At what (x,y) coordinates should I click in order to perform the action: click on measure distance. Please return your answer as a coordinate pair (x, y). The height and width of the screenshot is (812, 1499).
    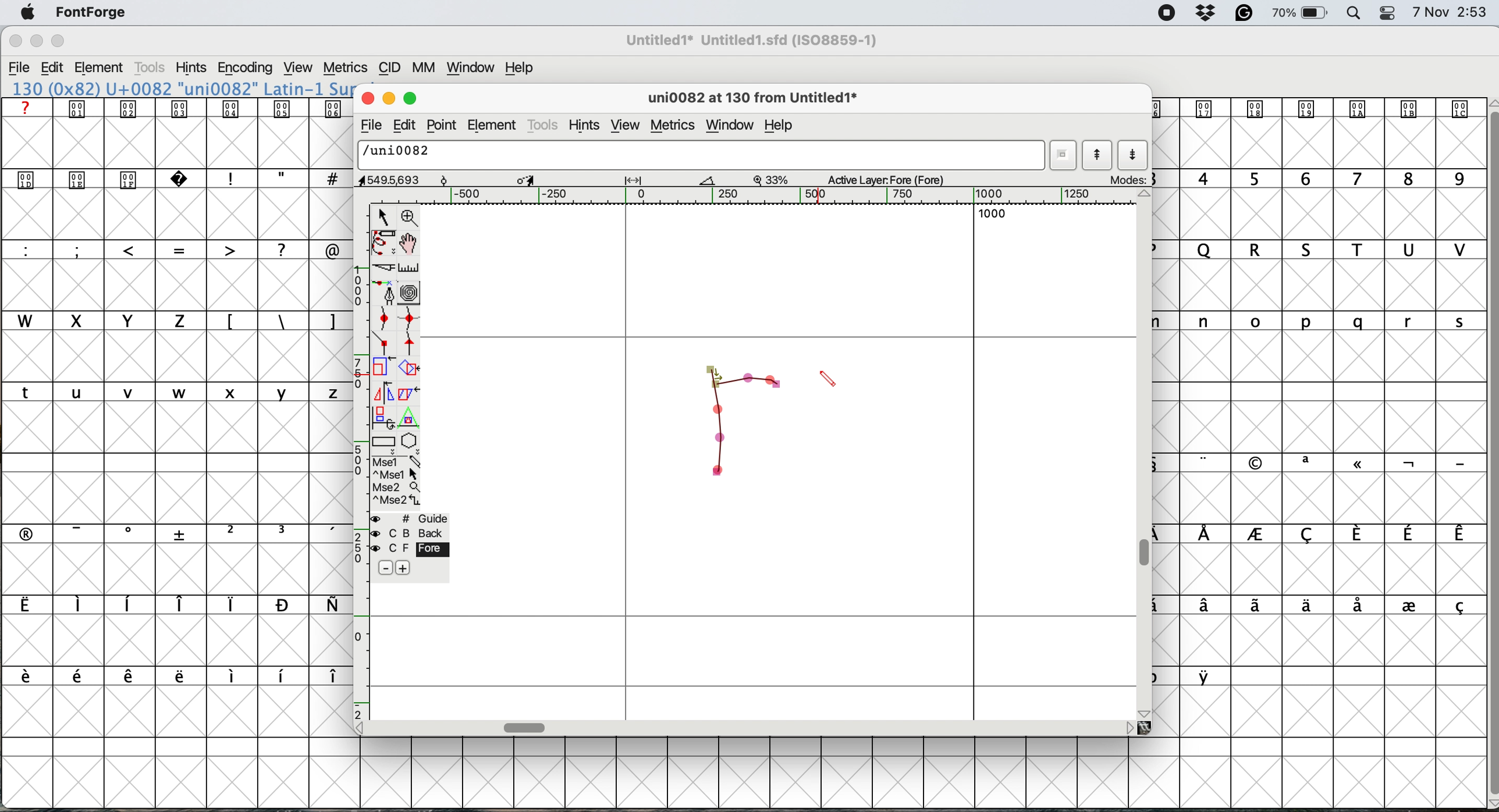
    Looking at the image, I should click on (409, 267).